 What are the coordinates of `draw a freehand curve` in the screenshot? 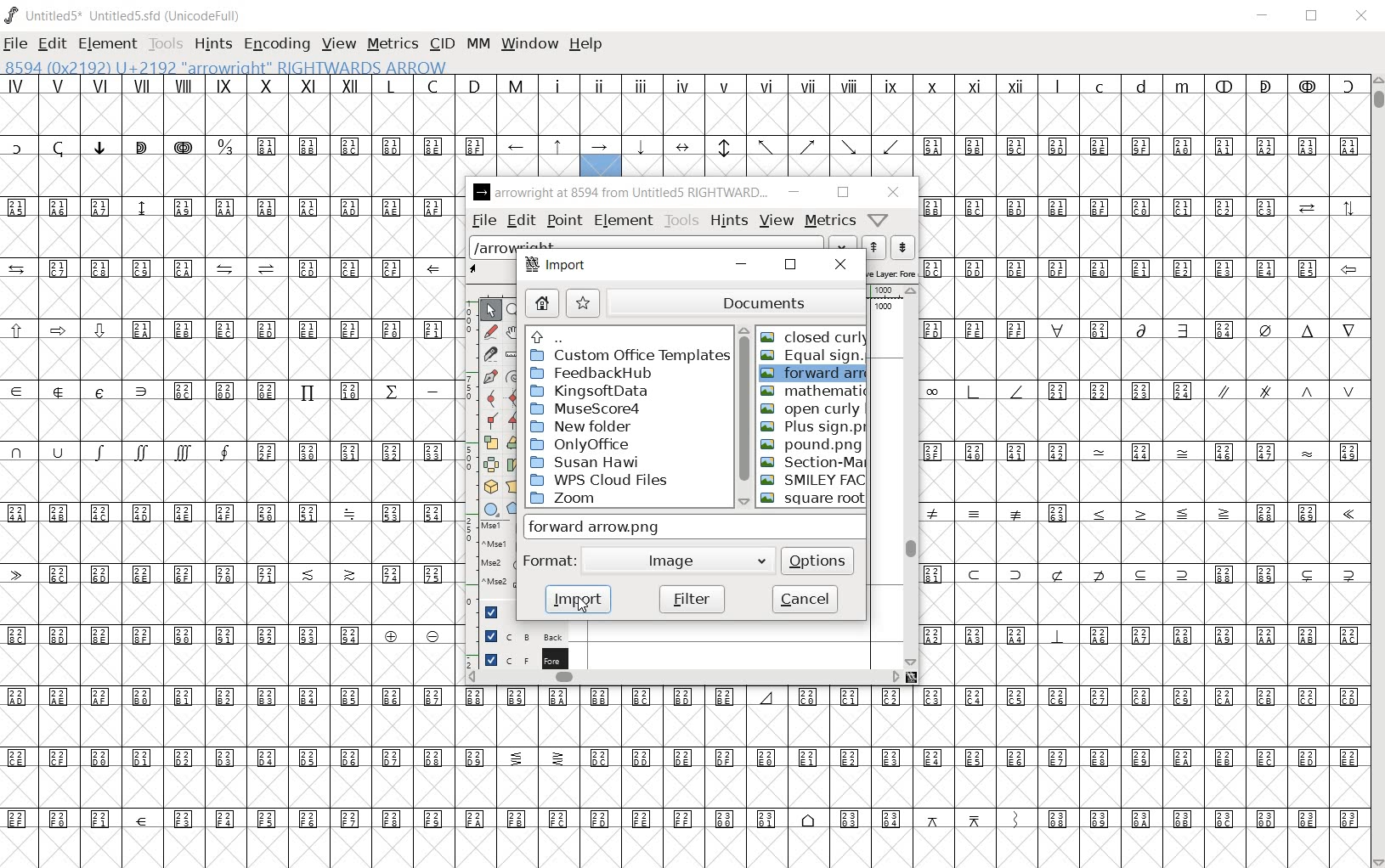 It's located at (490, 331).